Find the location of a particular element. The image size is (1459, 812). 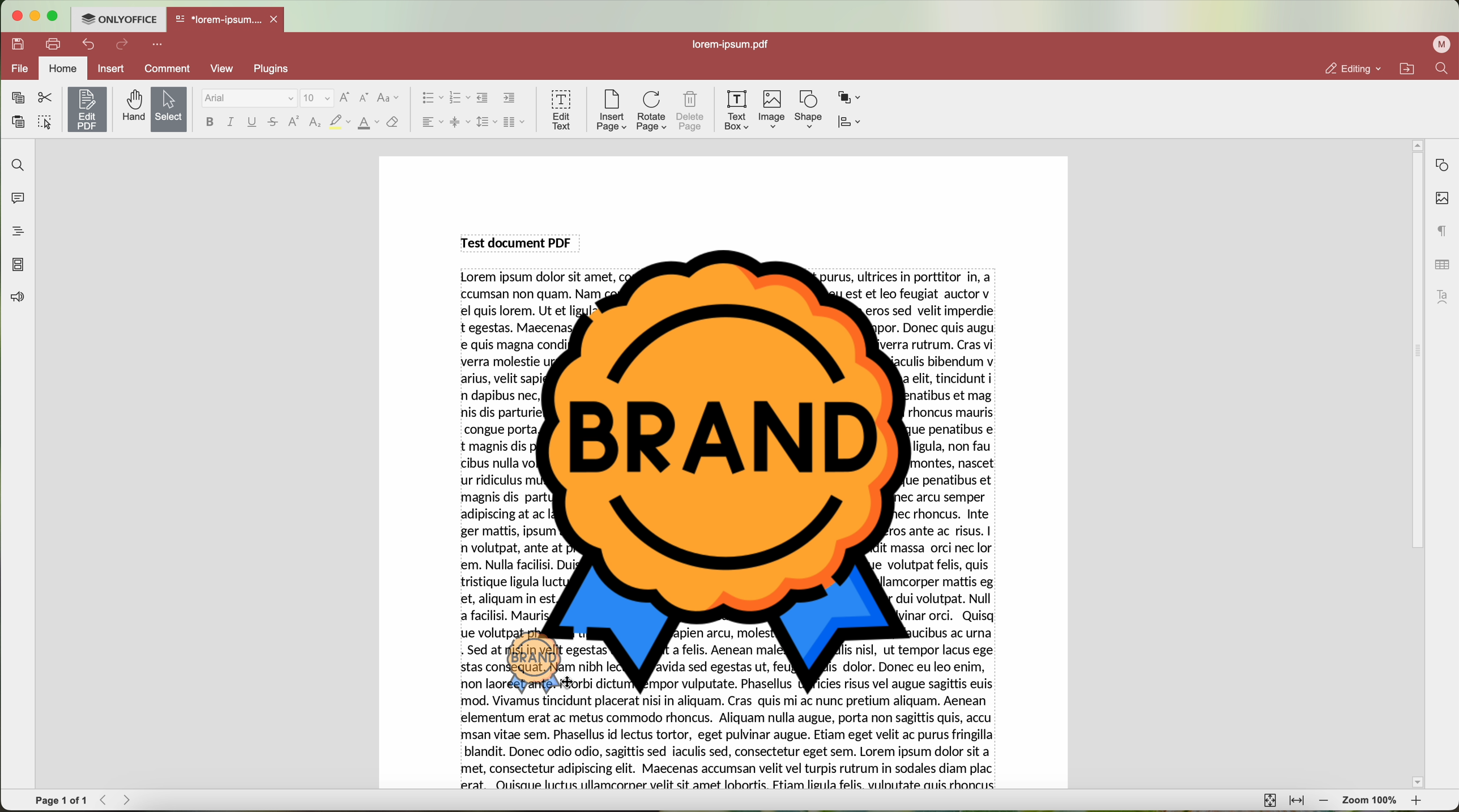

color type is located at coordinates (369, 123).